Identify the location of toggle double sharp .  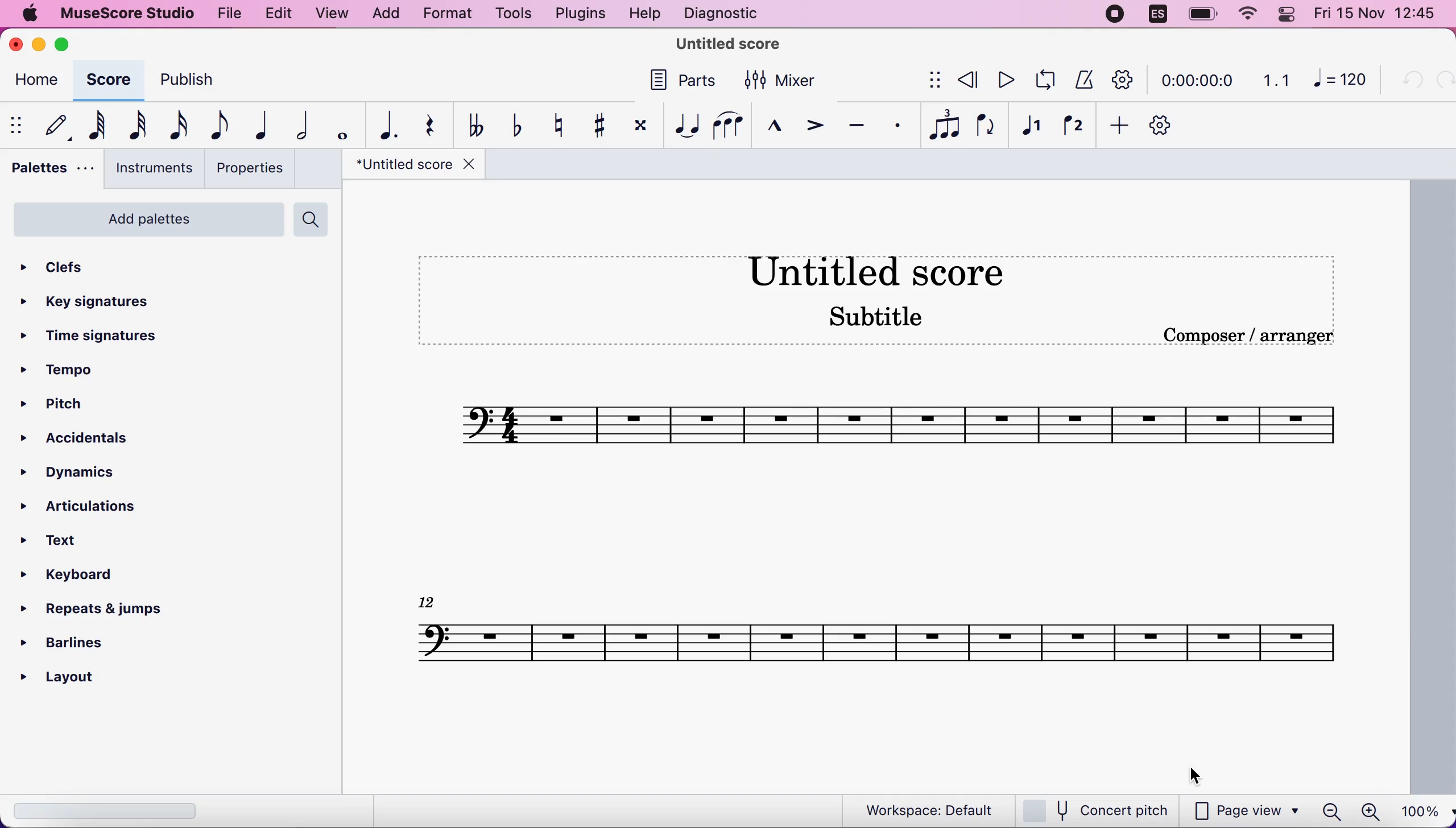
(636, 122).